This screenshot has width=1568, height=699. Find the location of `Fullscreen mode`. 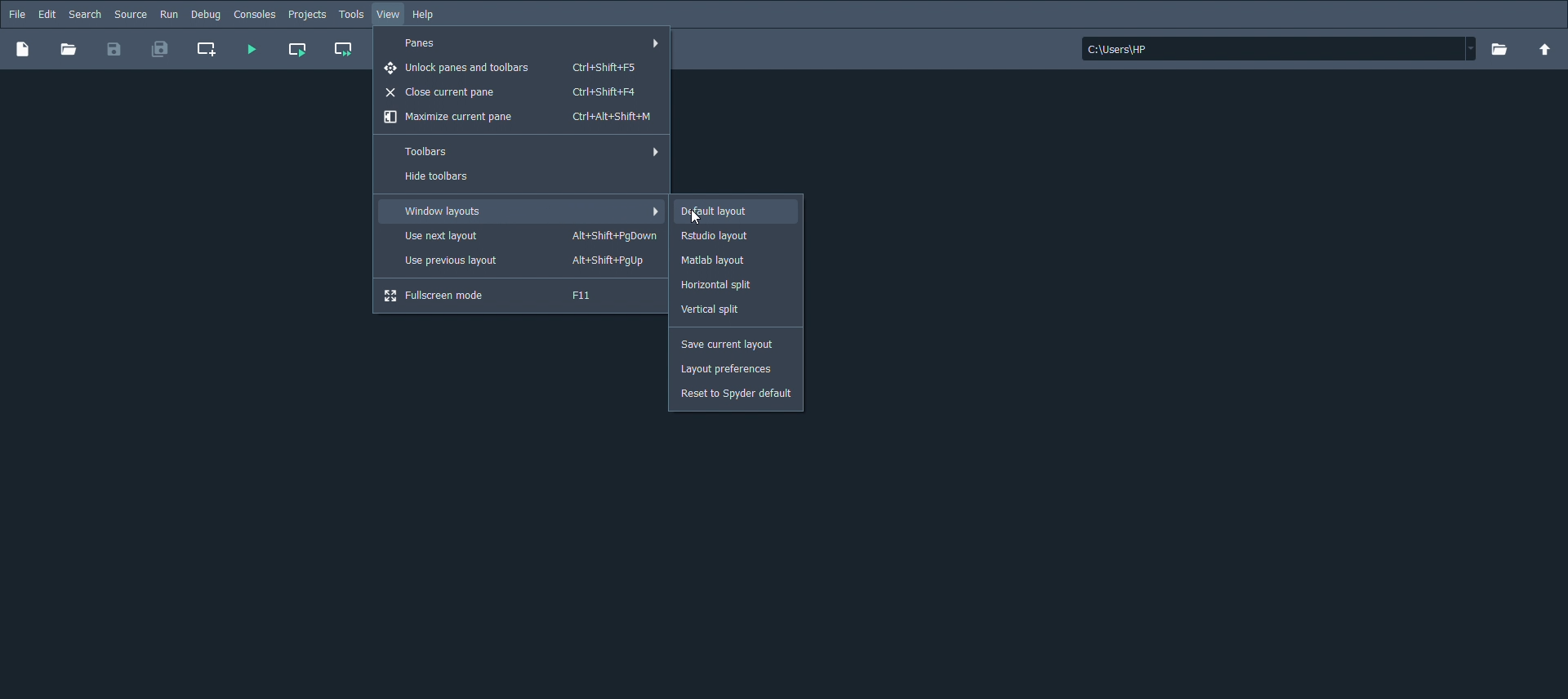

Fullscreen mode is located at coordinates (497, 296).